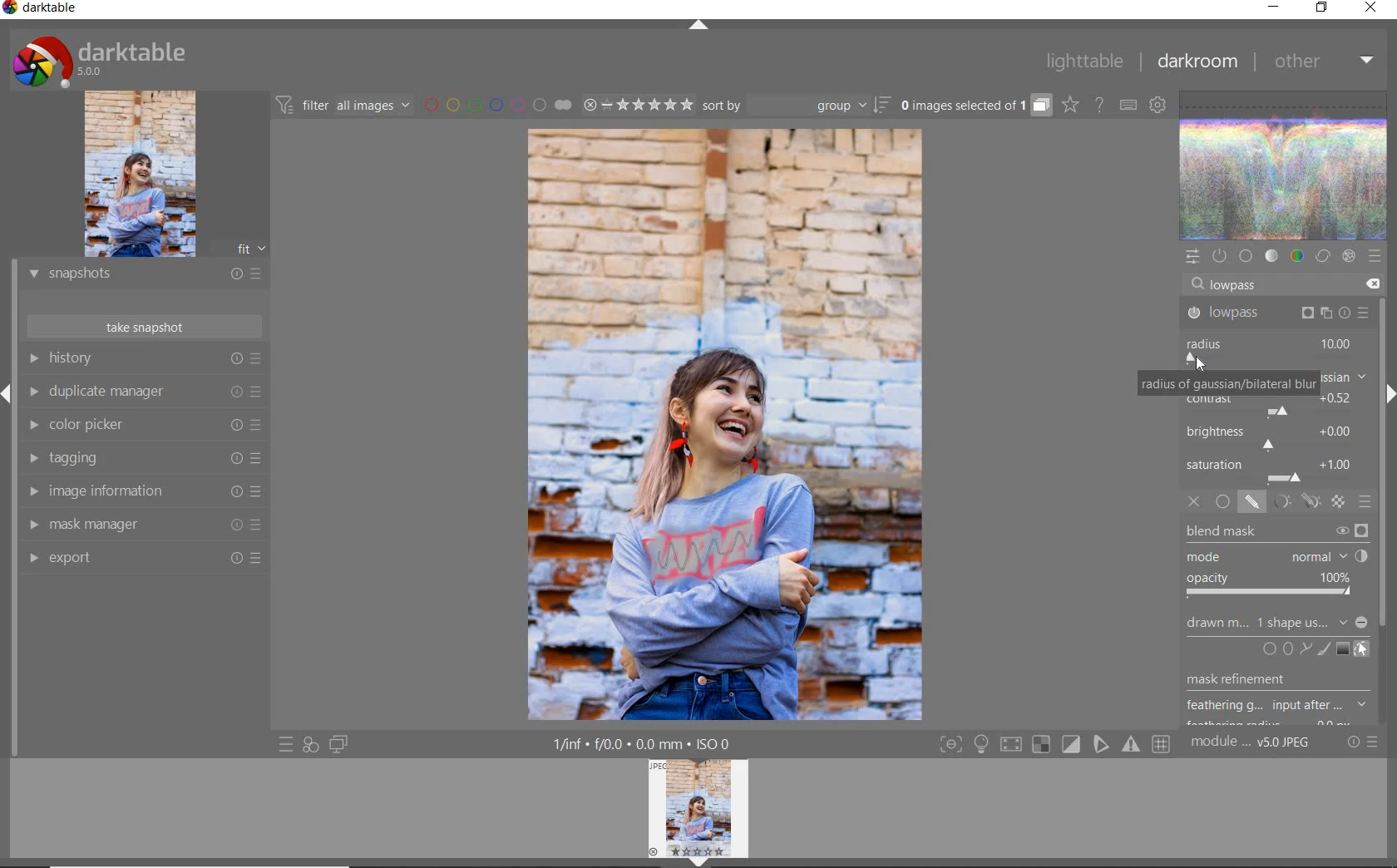 This screenshot has width=1397, height=868. I want to click on waveform, so click(1285, 164).